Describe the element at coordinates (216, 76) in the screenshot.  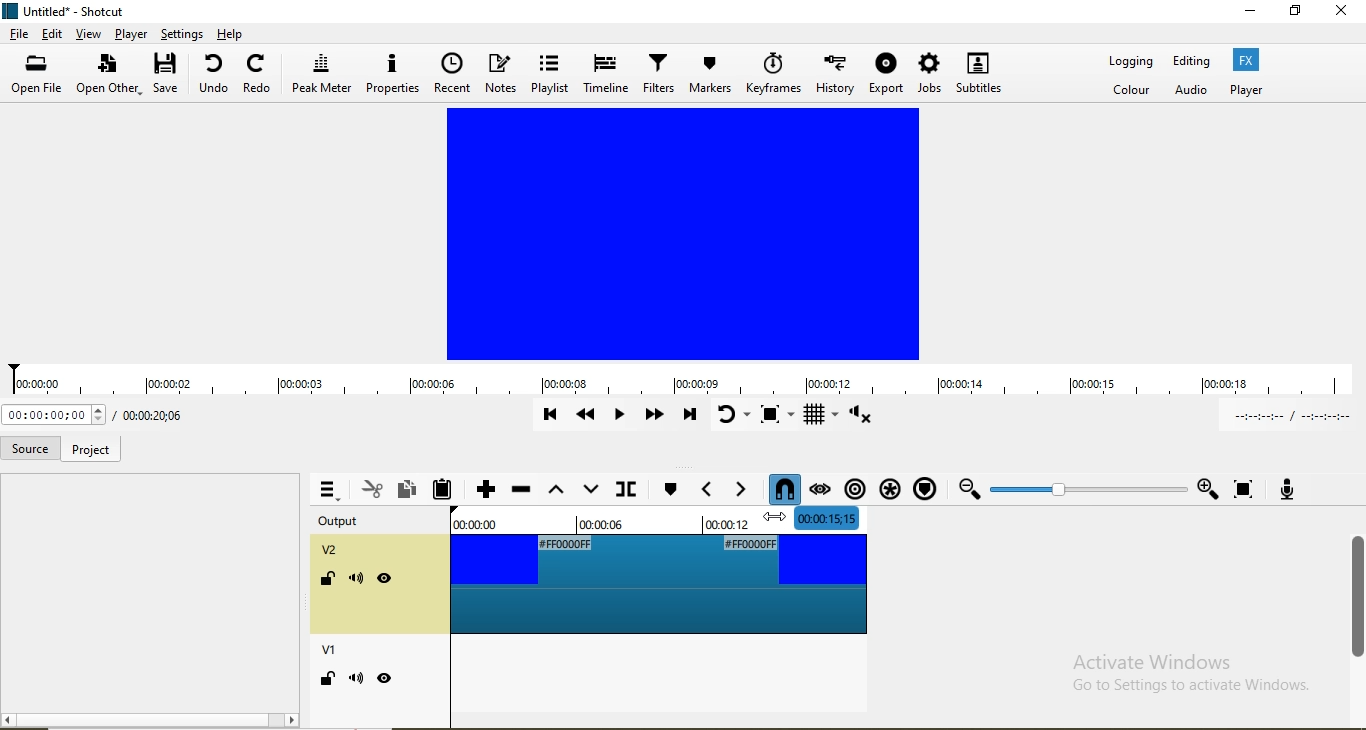
I see `undo` at that location.